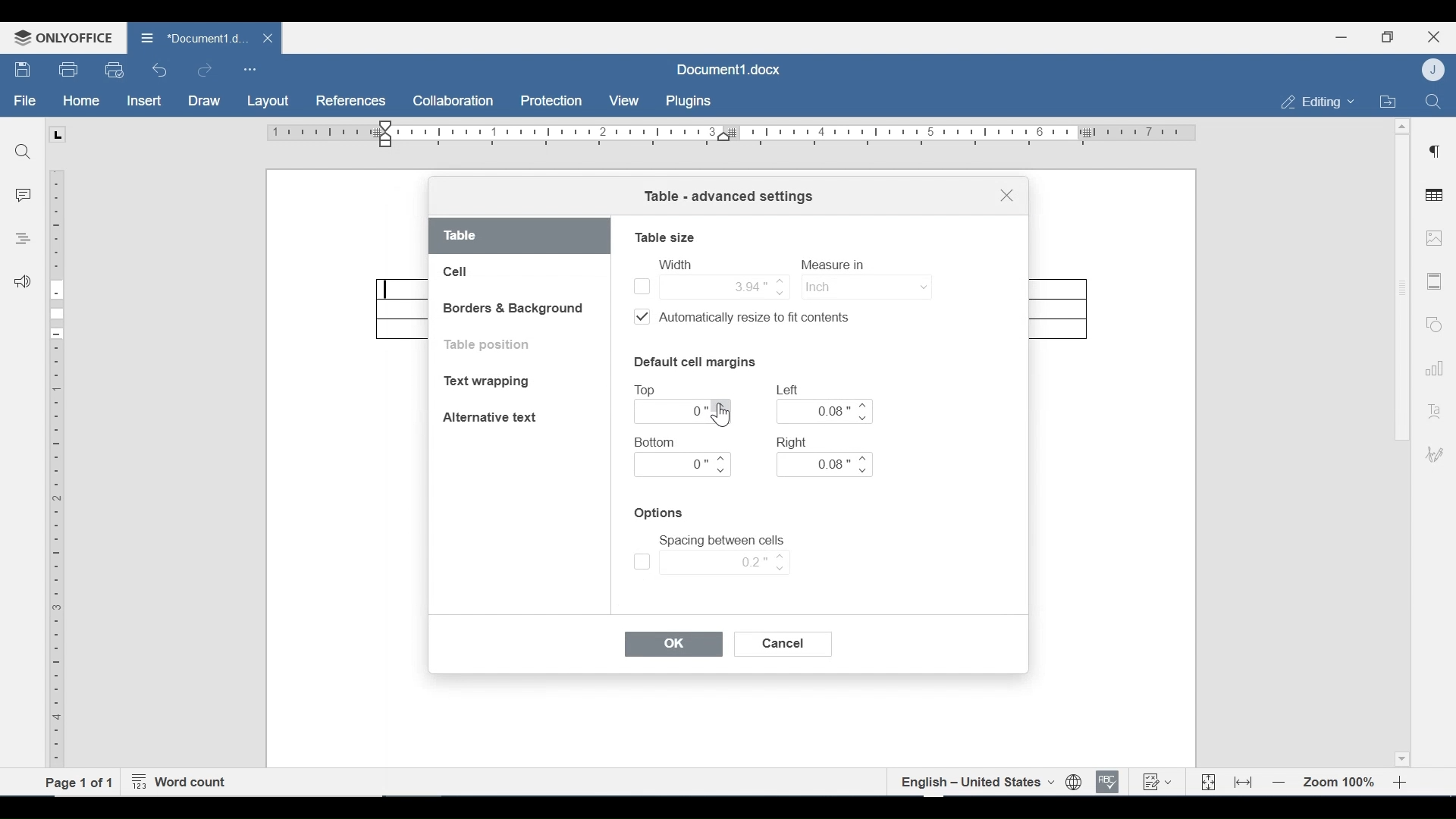  I want to click on Fit to Width, so click(1244, 781).